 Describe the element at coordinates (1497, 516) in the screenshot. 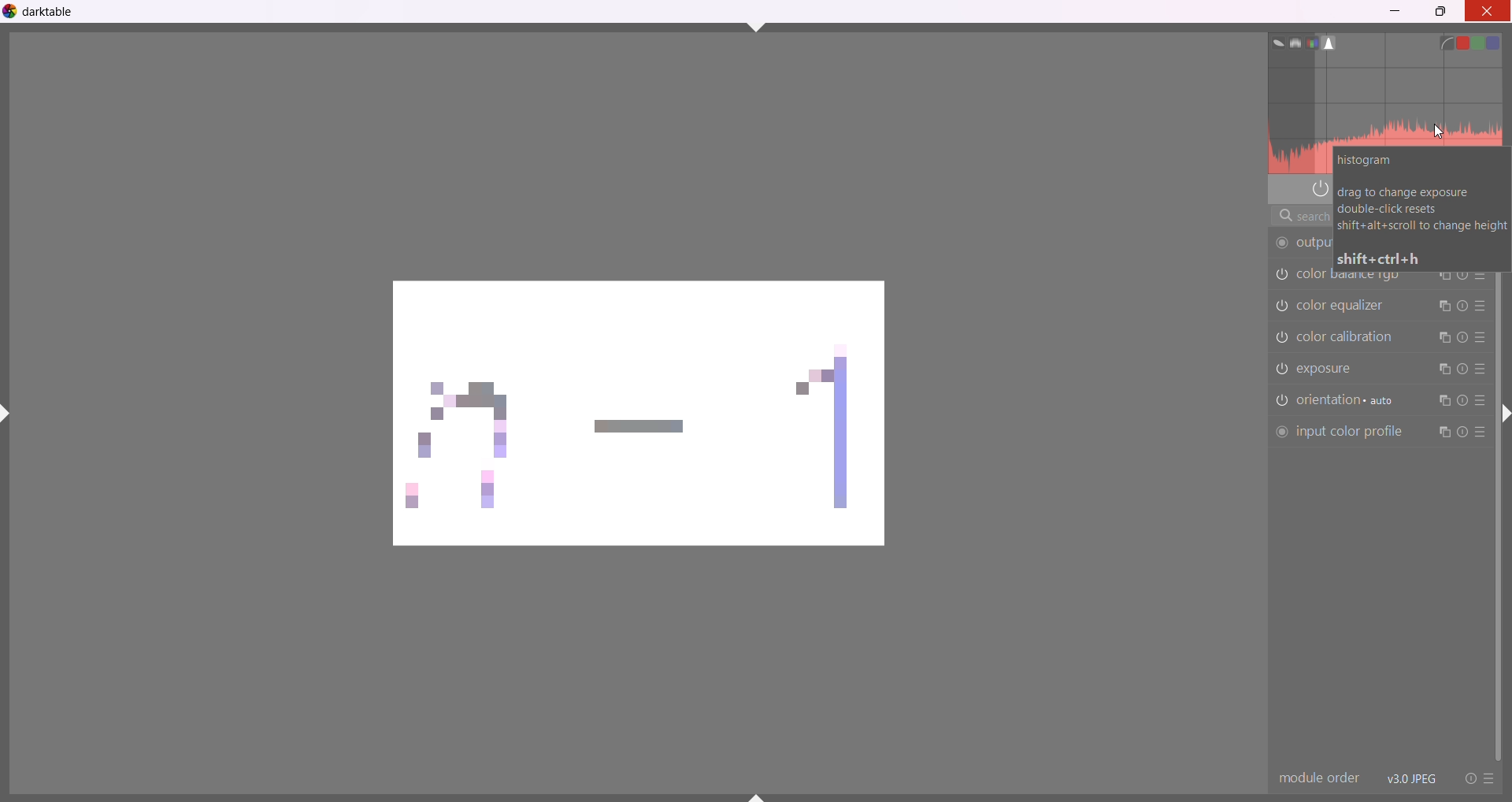

I see `vertical scroll bar` at that location.